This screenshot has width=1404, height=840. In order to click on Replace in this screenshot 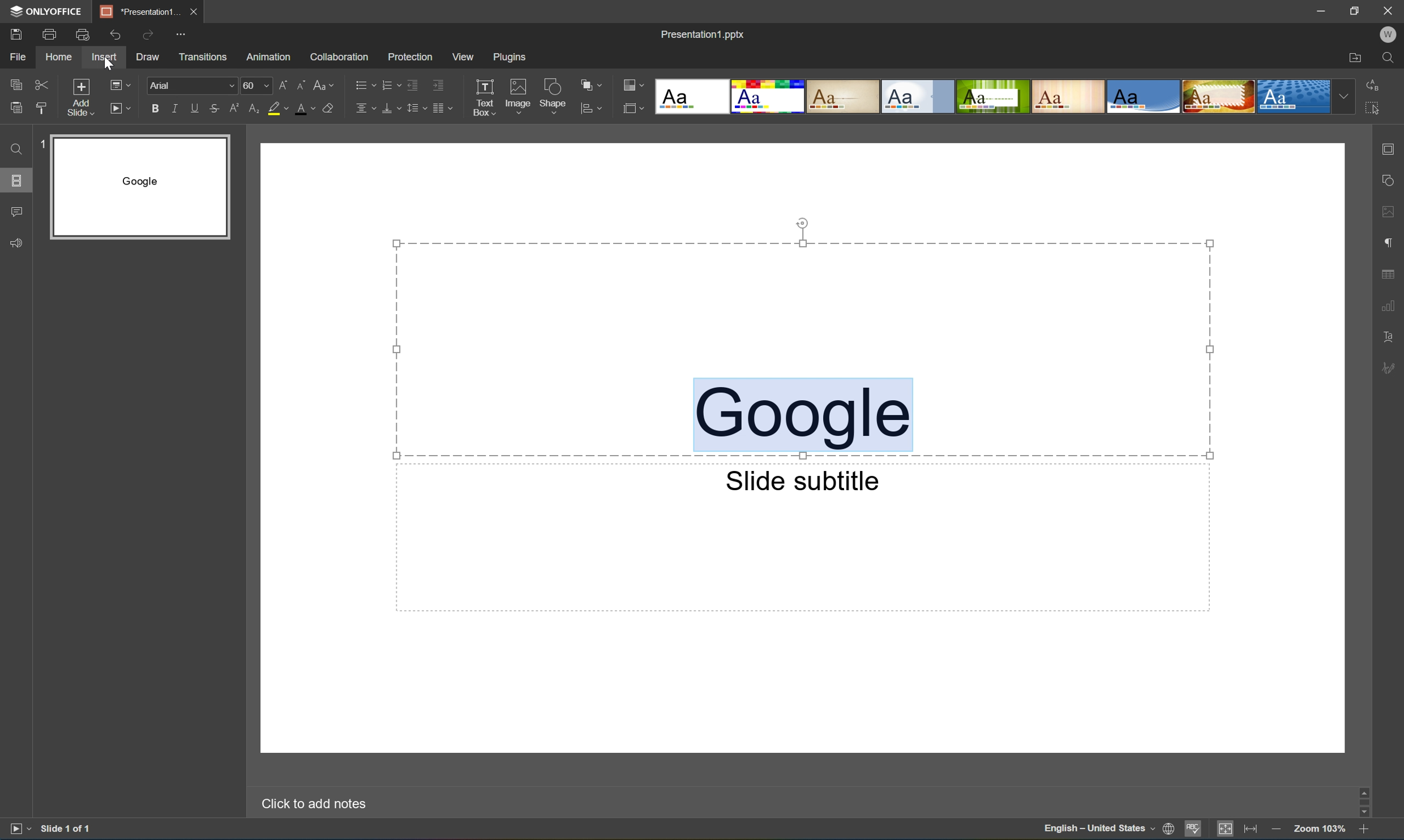, I will do `click(1375, 85)`.